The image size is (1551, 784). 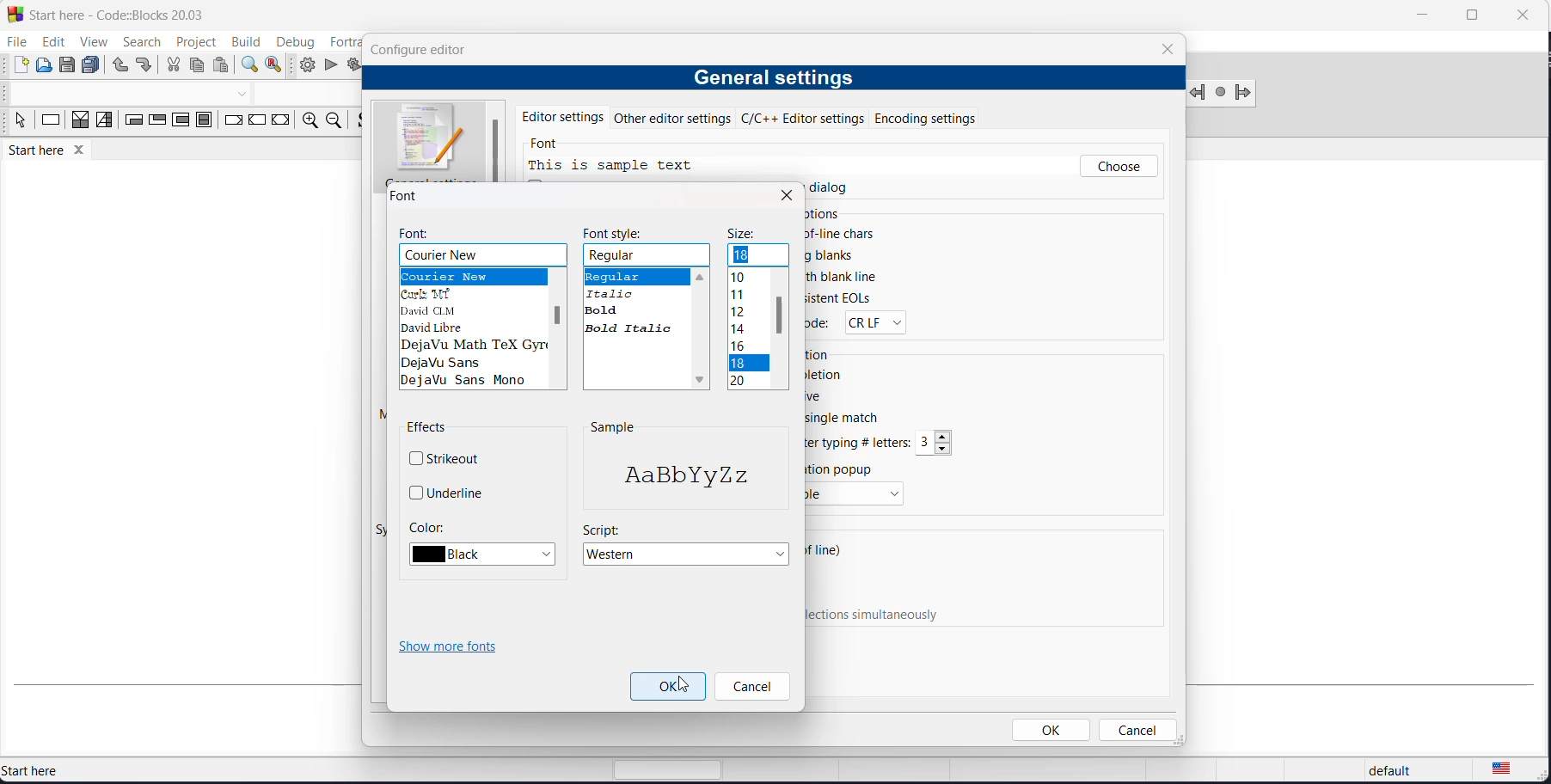 I want to click on build, so click(x=307, y=64).